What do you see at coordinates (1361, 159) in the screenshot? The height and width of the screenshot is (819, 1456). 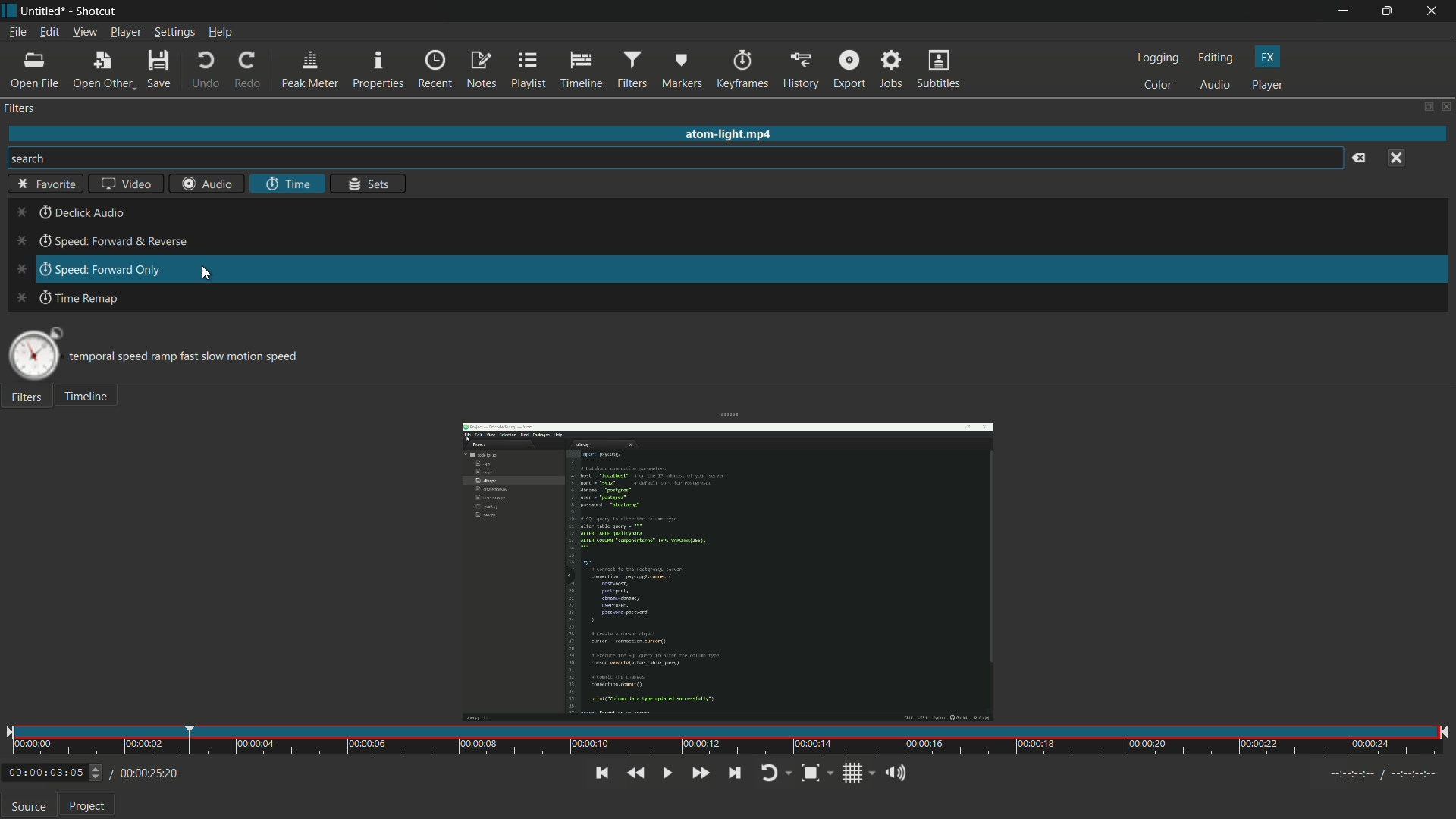 I see `clear search` at bounding box center [1361, 159].